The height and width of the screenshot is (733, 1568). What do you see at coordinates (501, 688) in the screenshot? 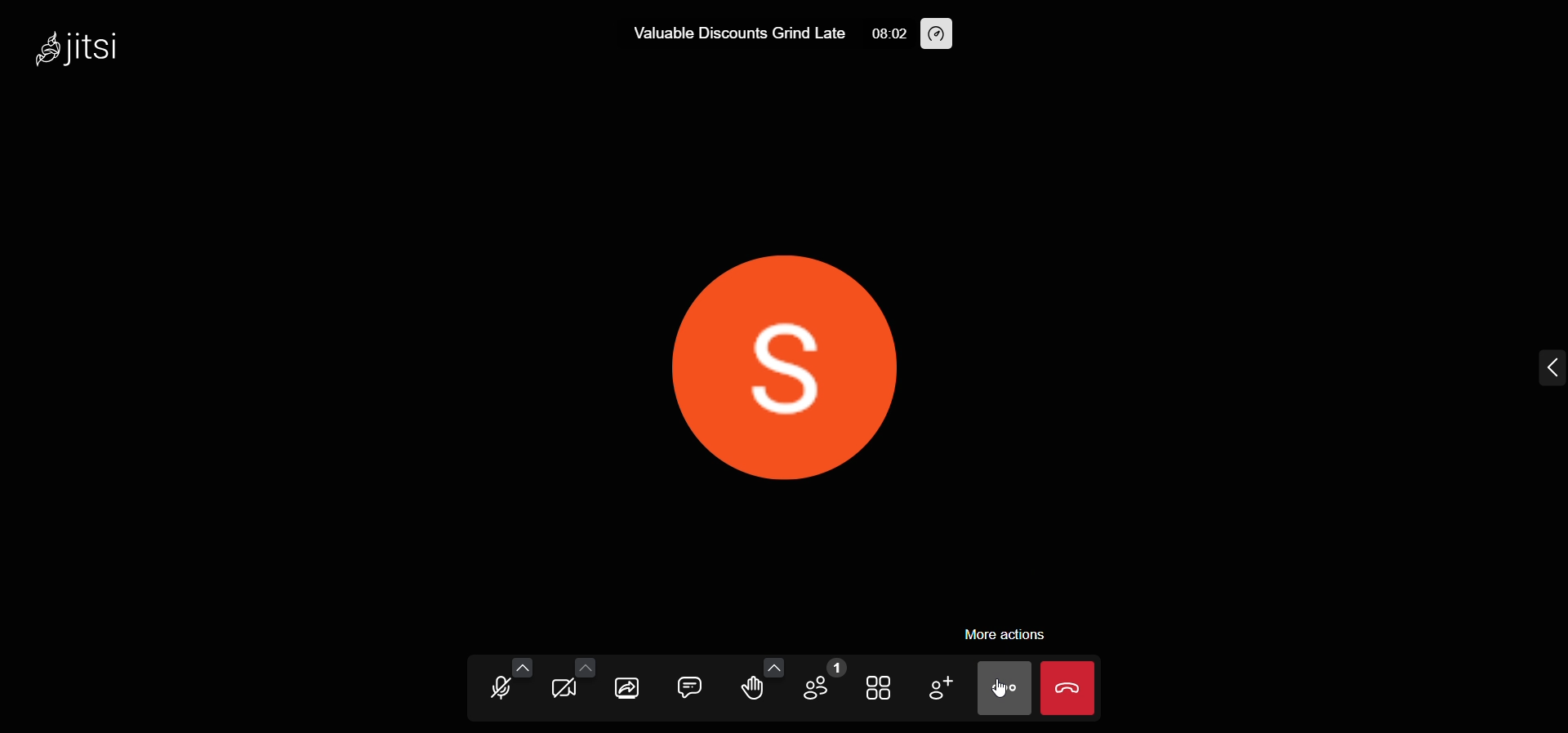
I see `microphone` at bounding box center [501, 688].